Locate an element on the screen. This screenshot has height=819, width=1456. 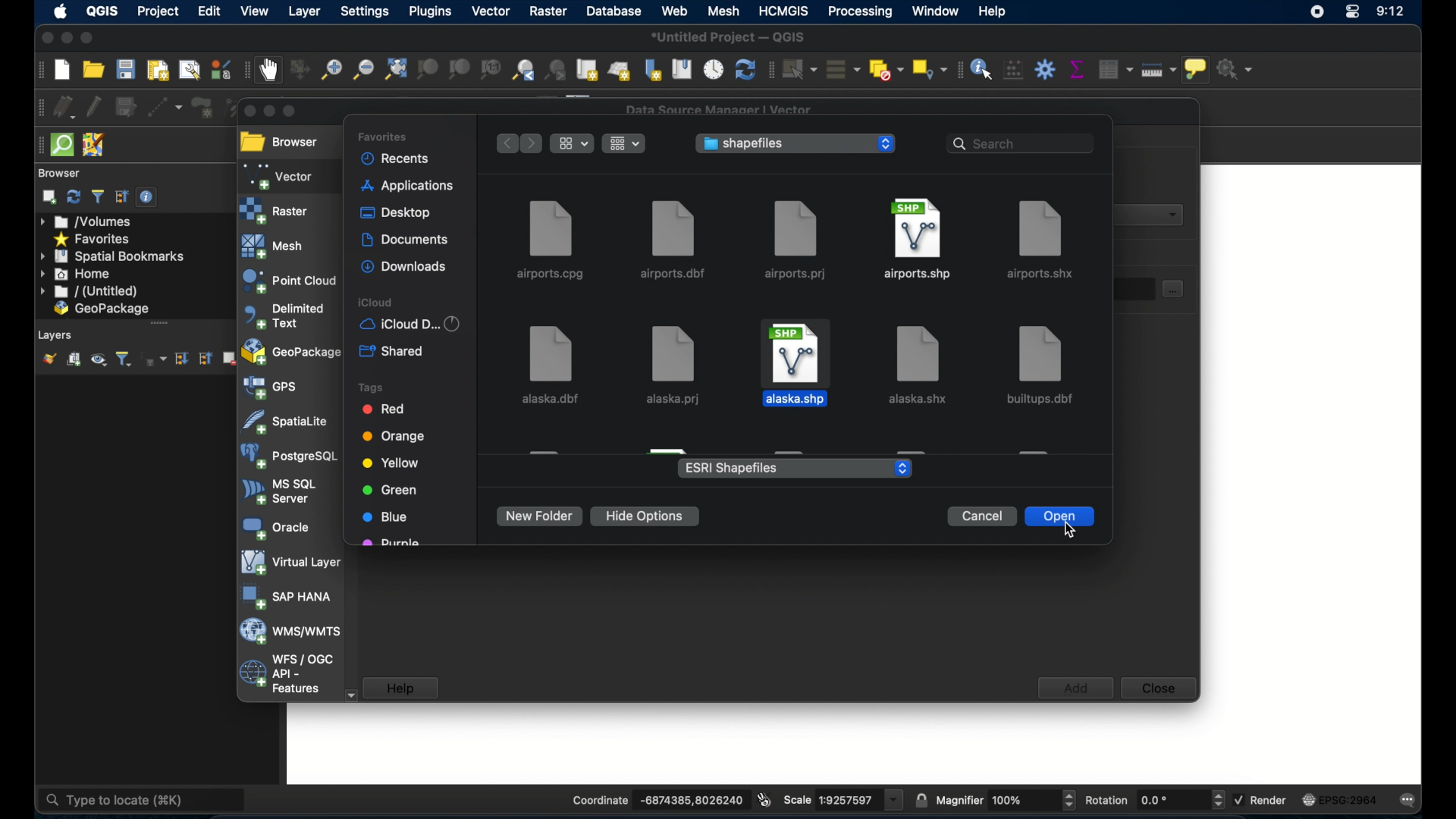
close is located at coordinates (44, 37).